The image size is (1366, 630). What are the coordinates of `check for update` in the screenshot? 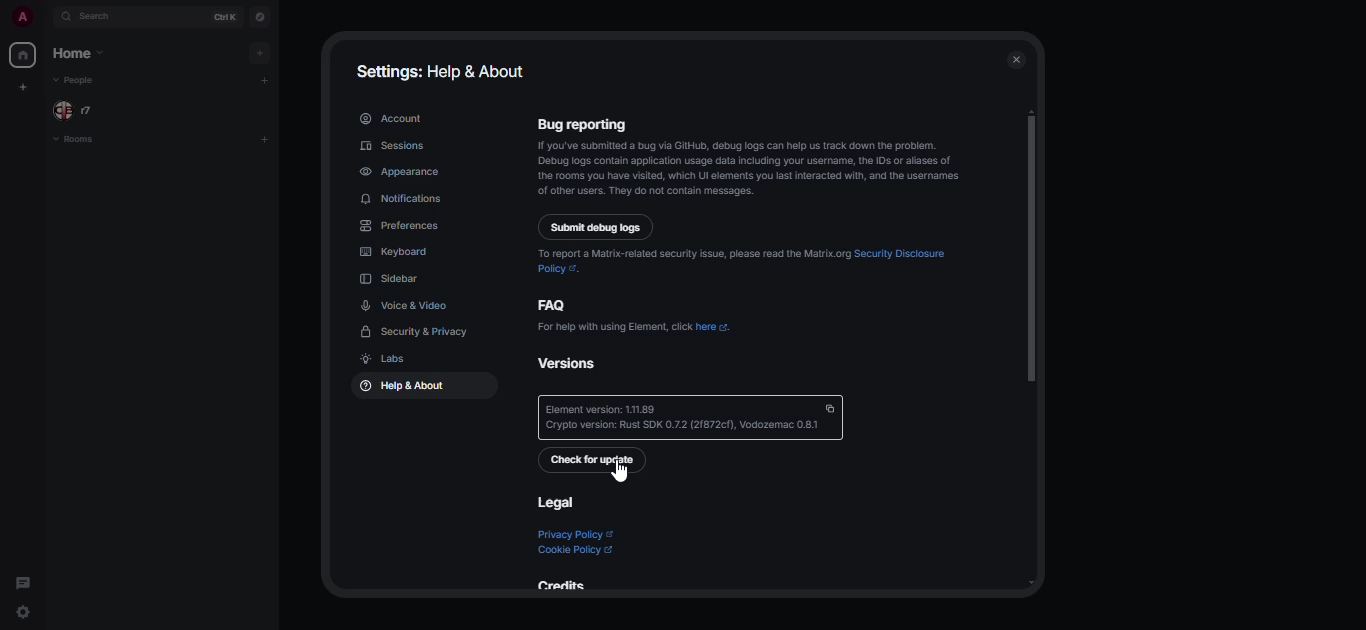 It's located at (593, 460).